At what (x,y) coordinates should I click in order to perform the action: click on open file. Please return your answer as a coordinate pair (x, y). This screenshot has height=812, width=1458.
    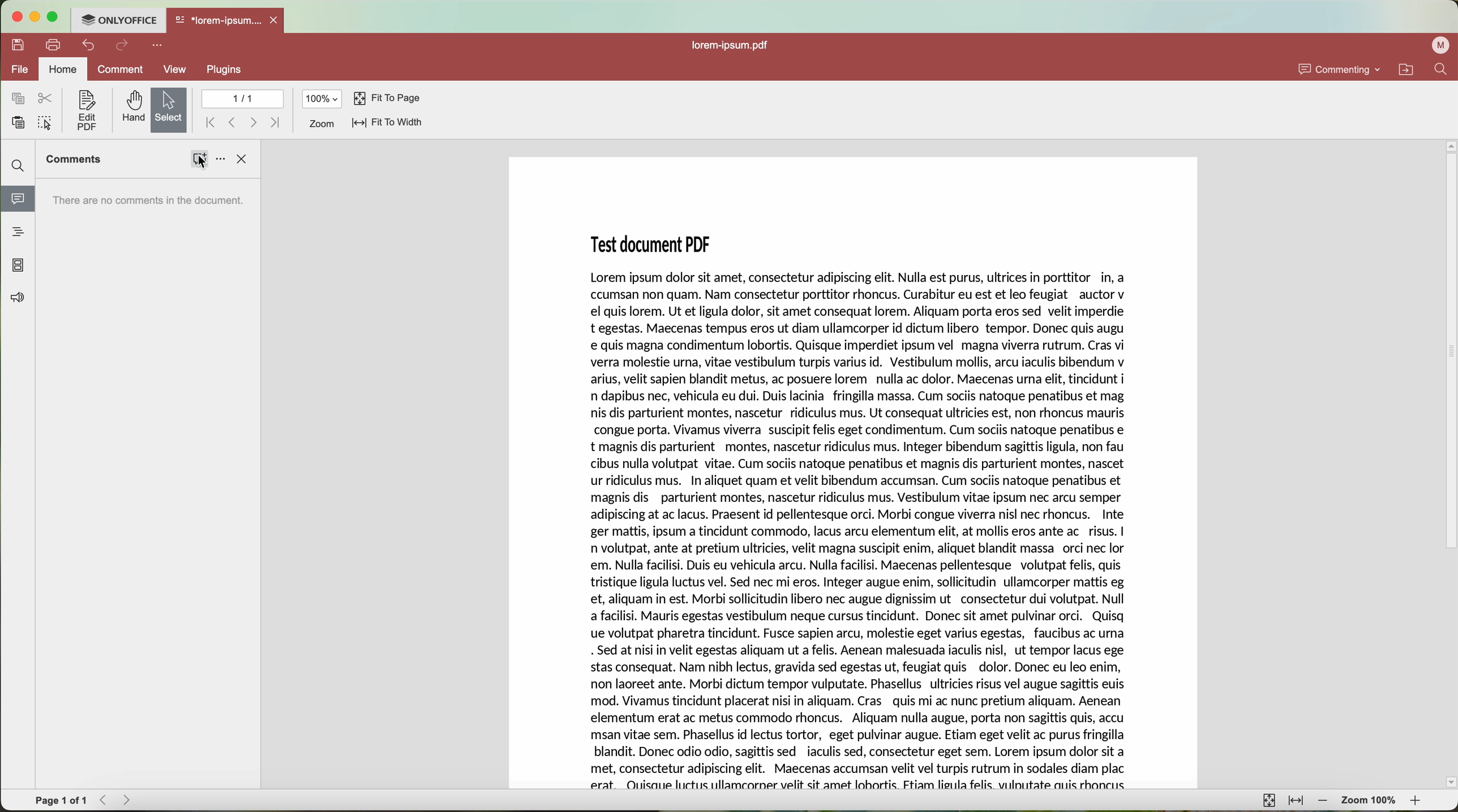
    Looking at the image, I should click on (227, 21).